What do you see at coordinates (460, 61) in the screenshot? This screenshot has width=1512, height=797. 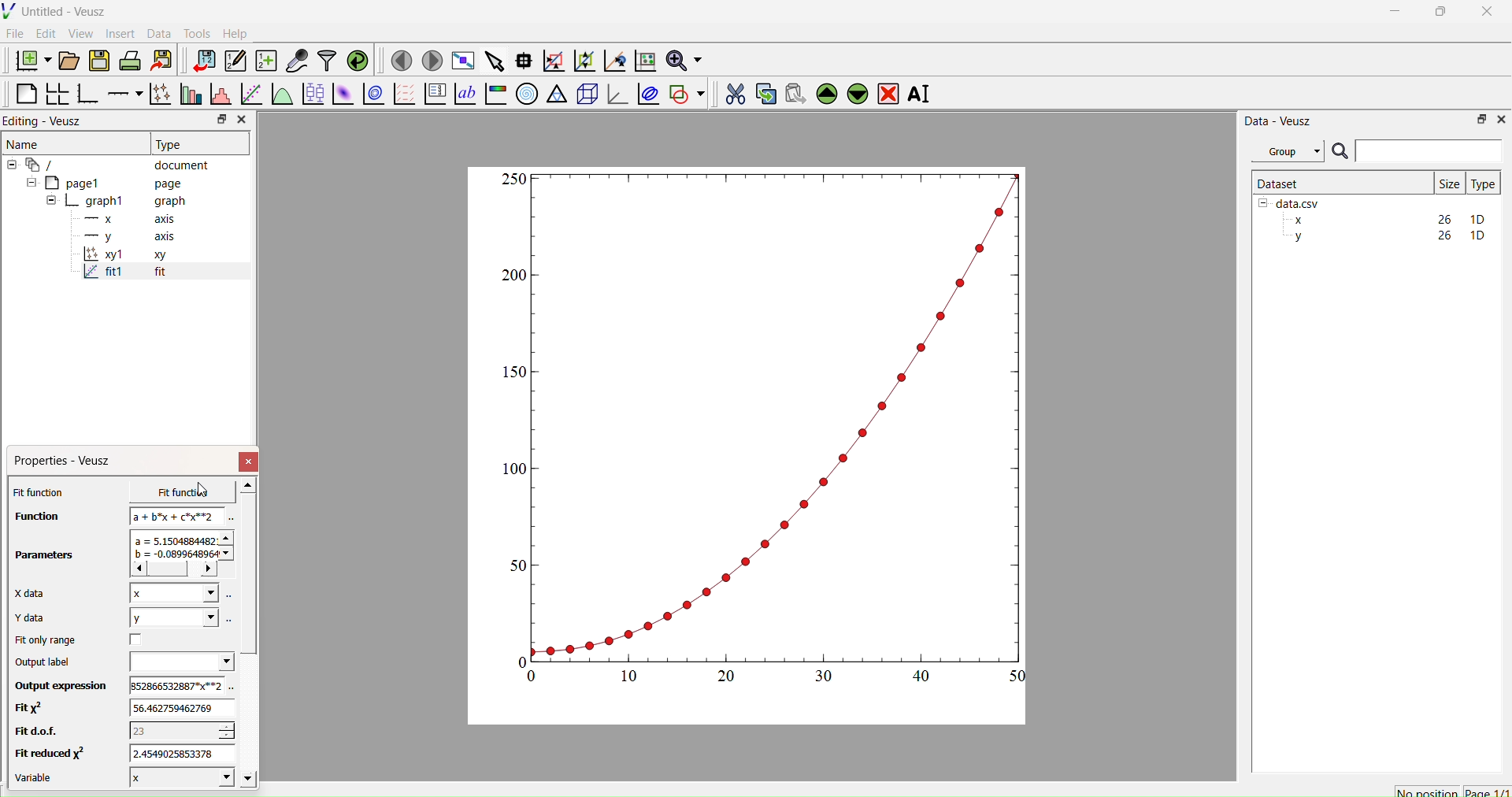 I see `Full screen` at bounding box center [460, 61].